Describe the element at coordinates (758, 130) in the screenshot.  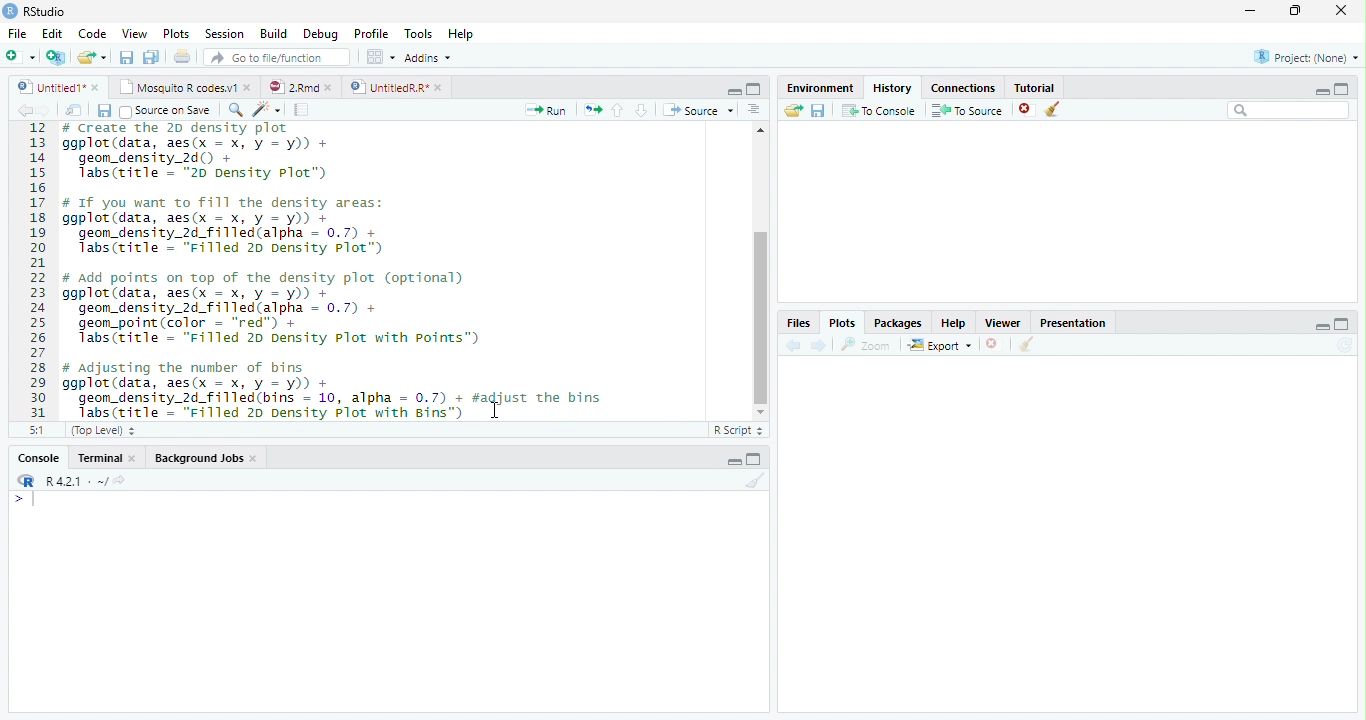
I see `Scrollbar up` at that location.